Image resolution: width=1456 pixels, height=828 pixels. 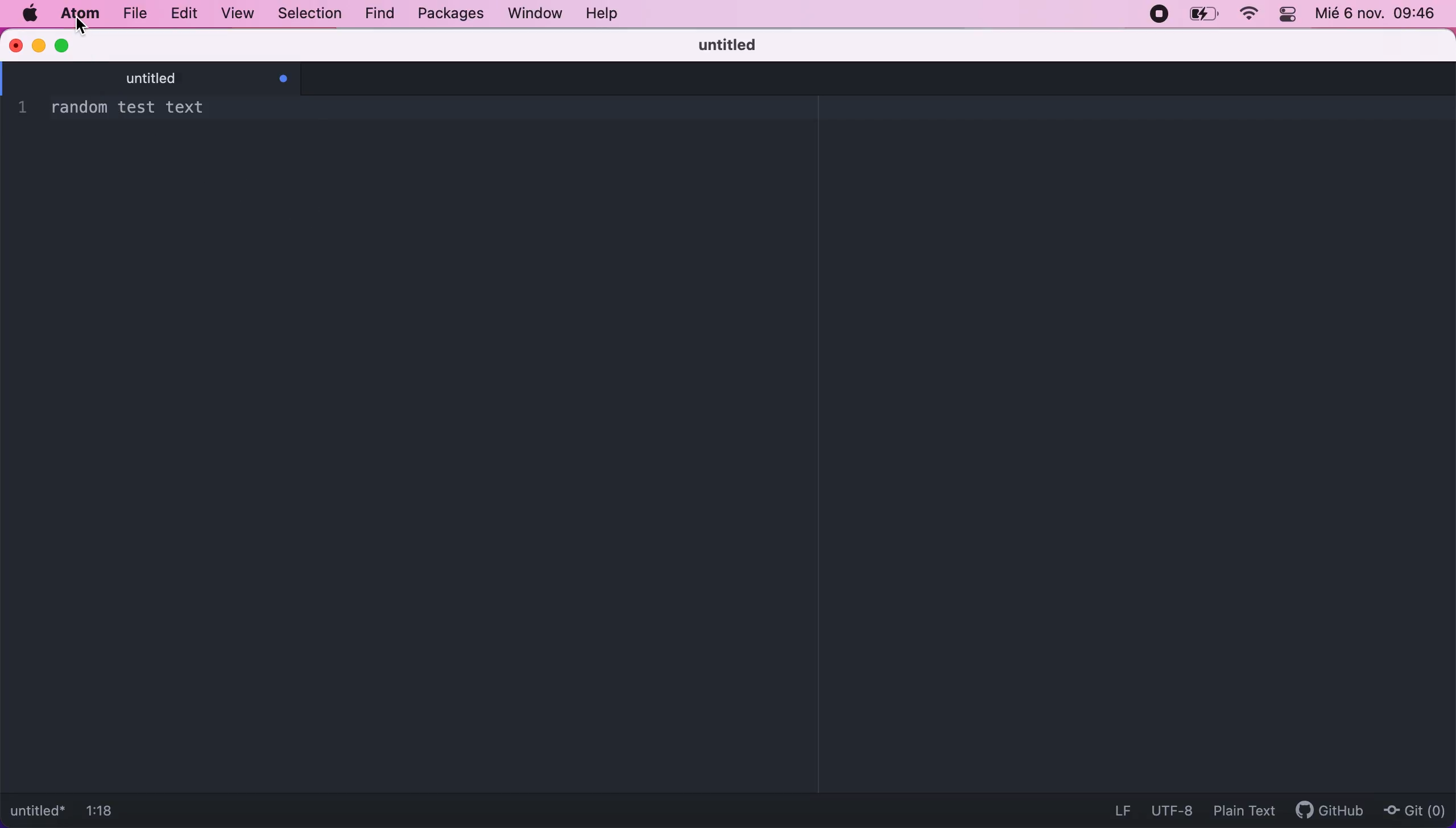 I want to click on 1:18, so click(x=110, y=810).